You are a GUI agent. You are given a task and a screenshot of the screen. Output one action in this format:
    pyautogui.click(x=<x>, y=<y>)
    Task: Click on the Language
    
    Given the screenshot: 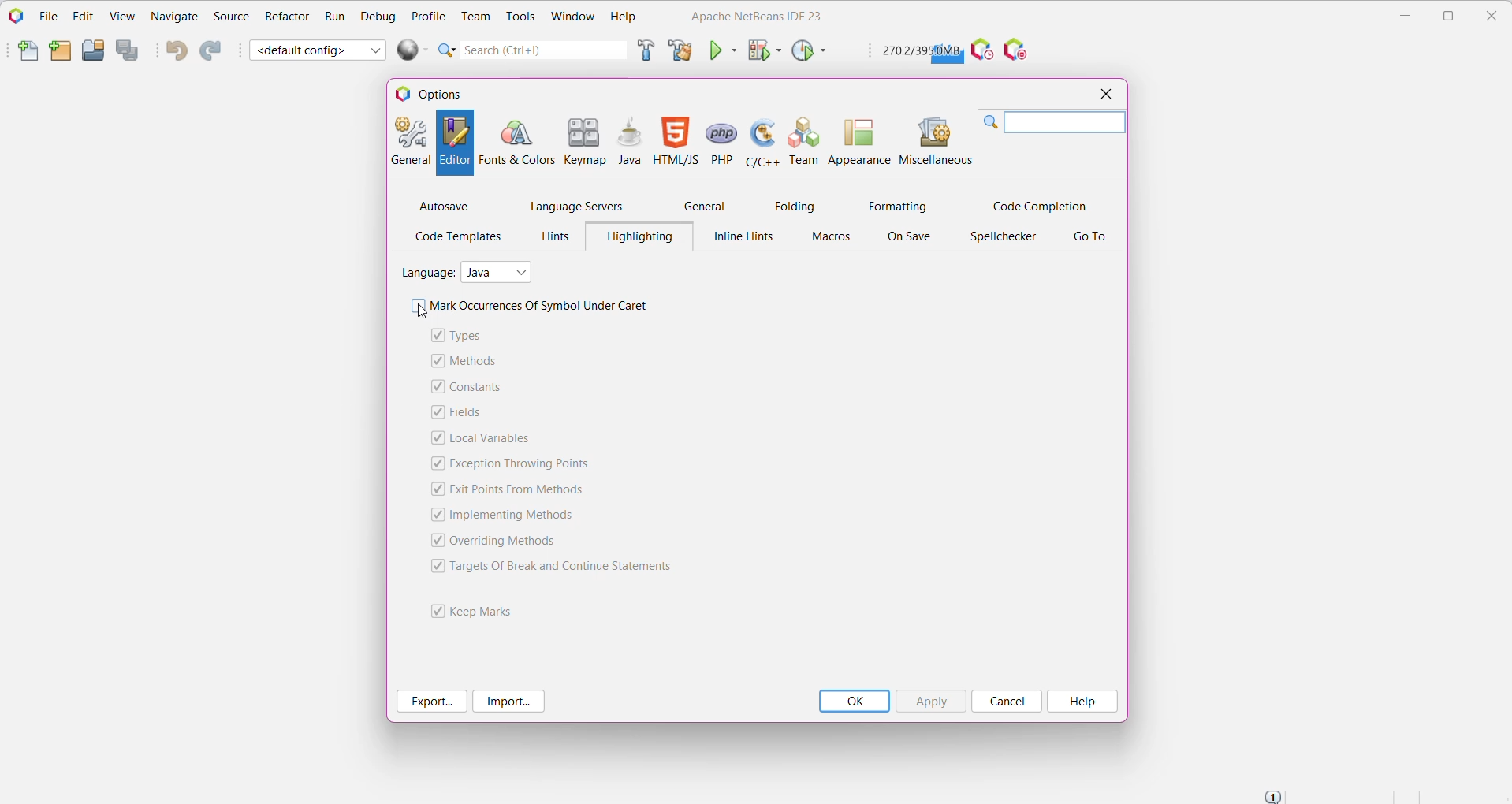 What is the action you would take?
    pyautogui.click(x=427, y=271)
    